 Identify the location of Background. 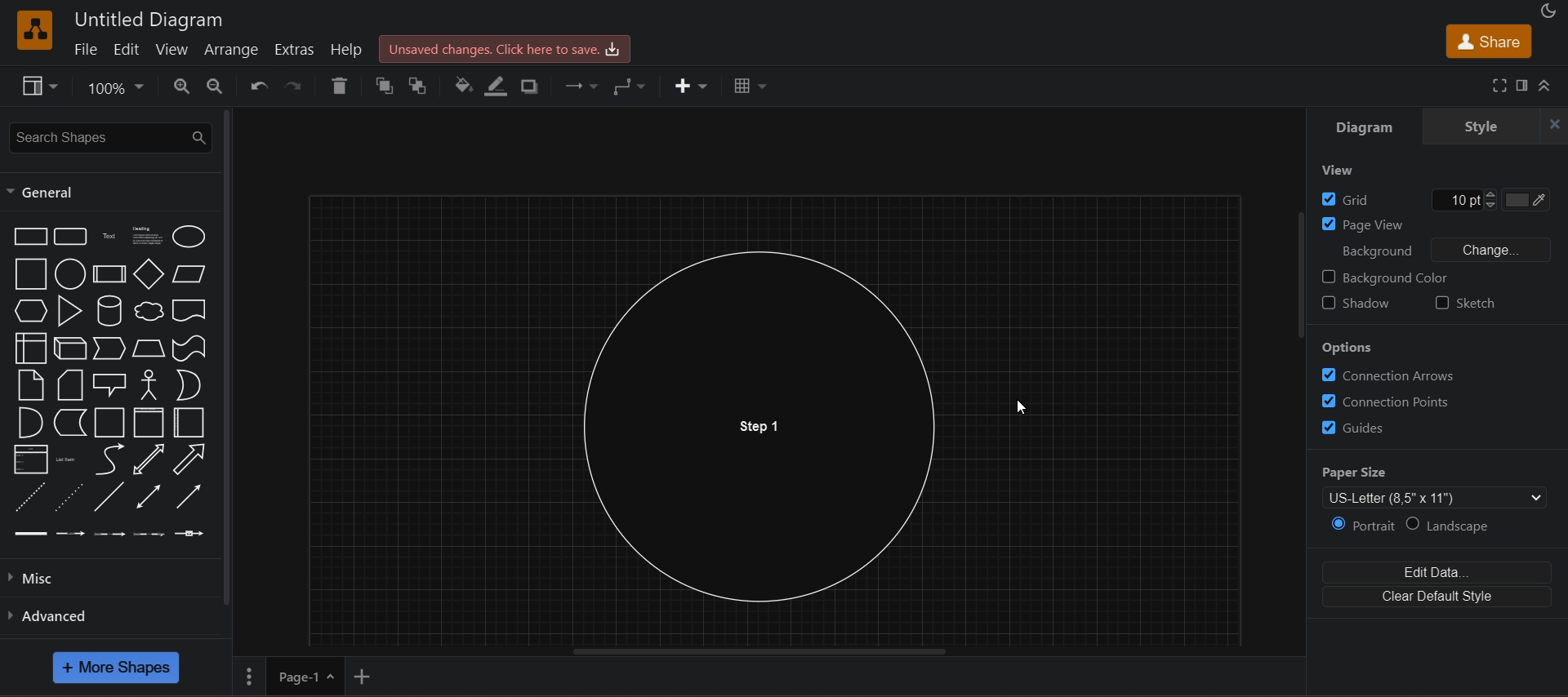
(1370, 254).